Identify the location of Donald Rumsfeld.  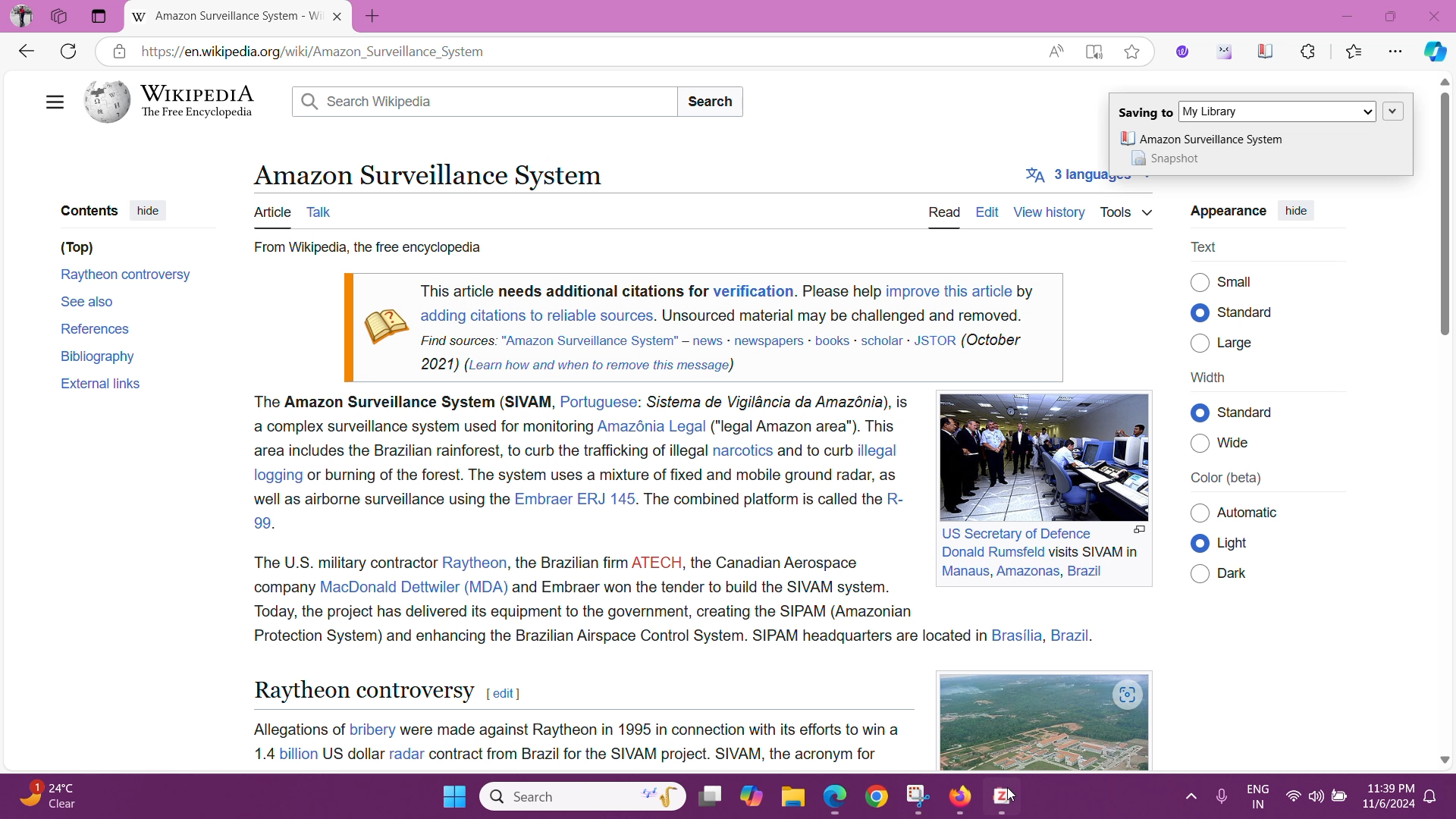
(992, 553).